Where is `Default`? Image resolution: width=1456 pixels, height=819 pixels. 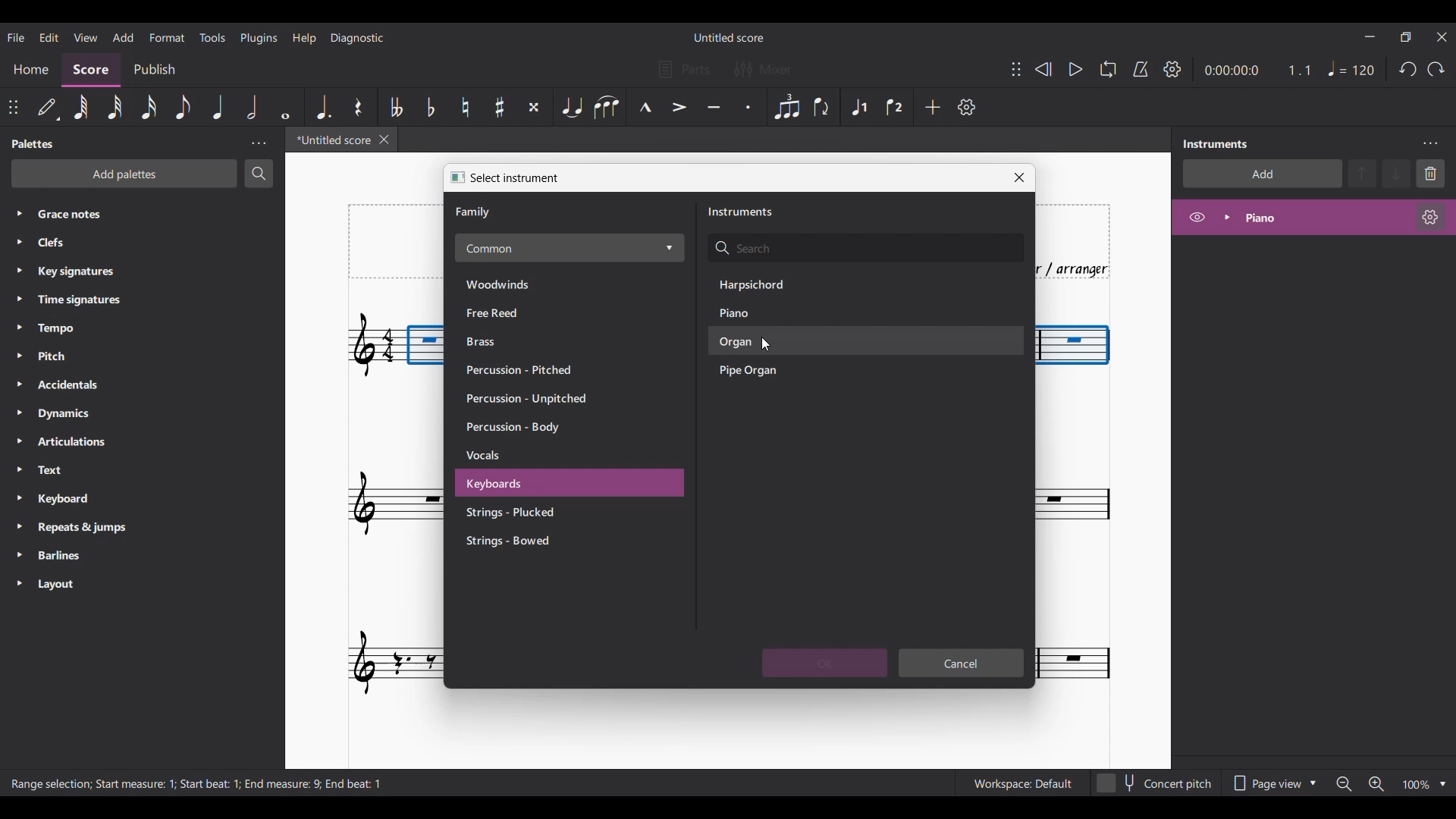
Default is located at coordinates (47, 106).